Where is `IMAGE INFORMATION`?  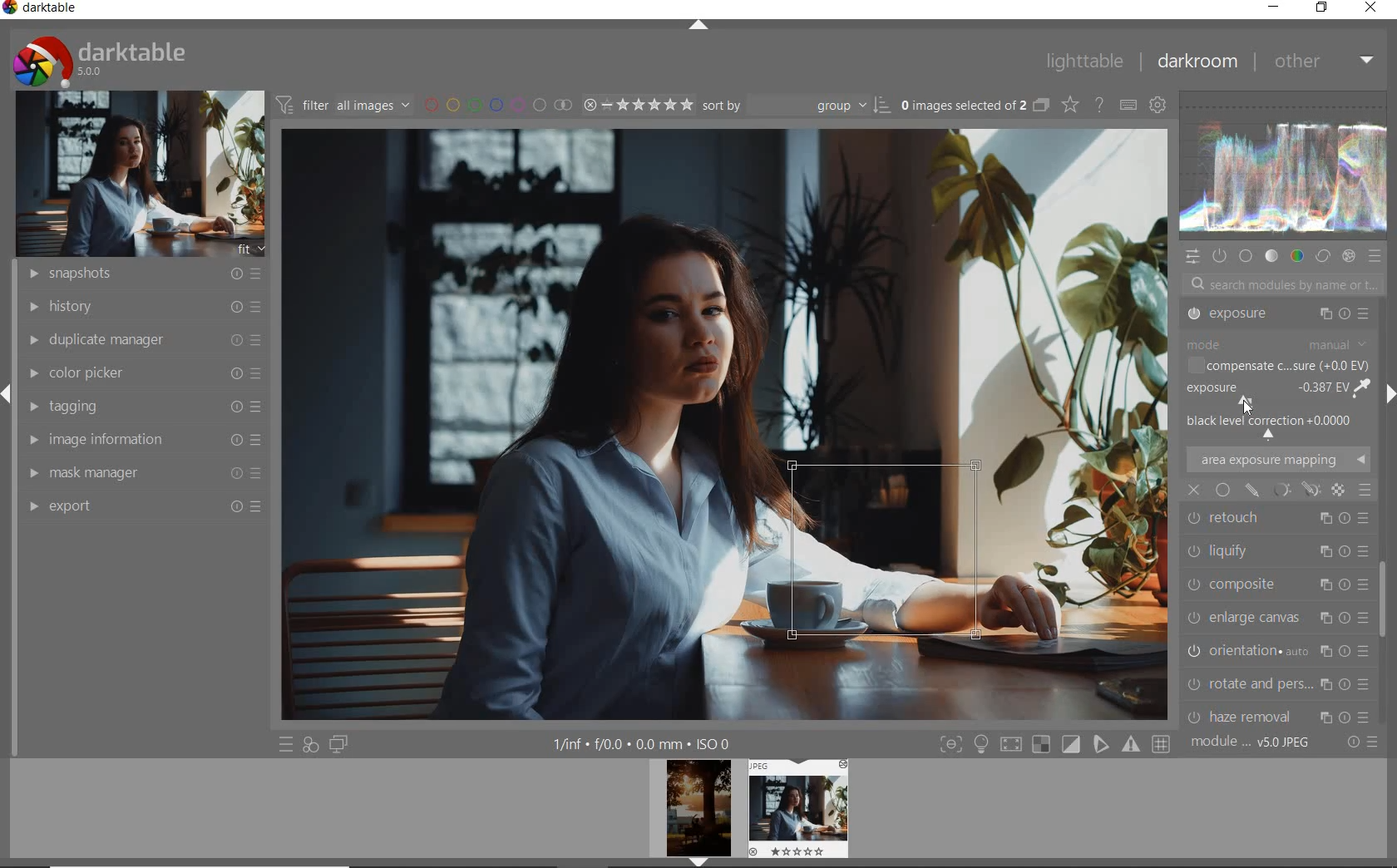
IMAGE INFORMATION is located at coordinates (141, 440).